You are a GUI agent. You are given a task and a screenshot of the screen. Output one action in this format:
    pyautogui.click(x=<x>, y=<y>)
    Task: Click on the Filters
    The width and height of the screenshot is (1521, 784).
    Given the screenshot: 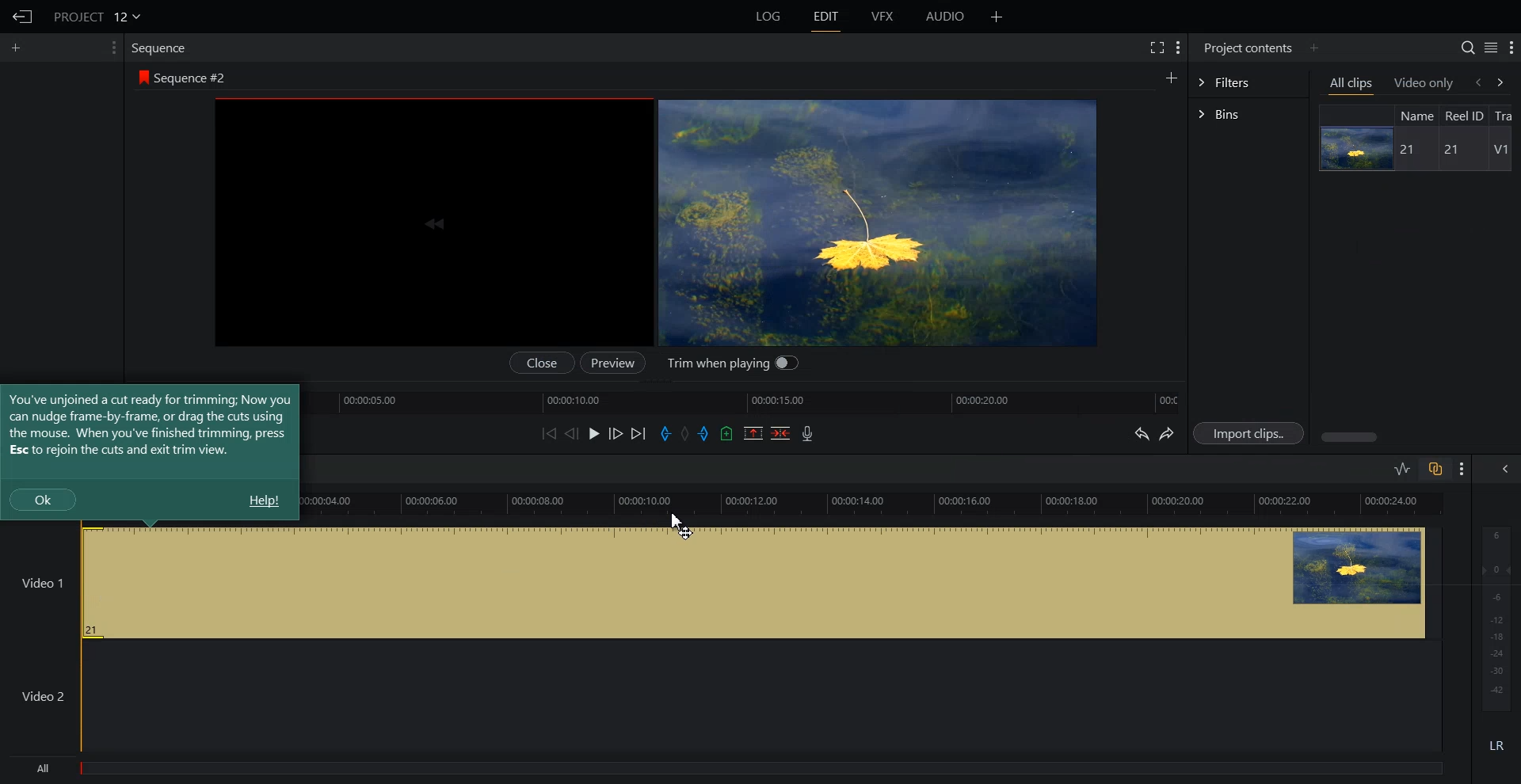 What is the action you would take?
    pyautogui.click(x=1248, y=82)
    